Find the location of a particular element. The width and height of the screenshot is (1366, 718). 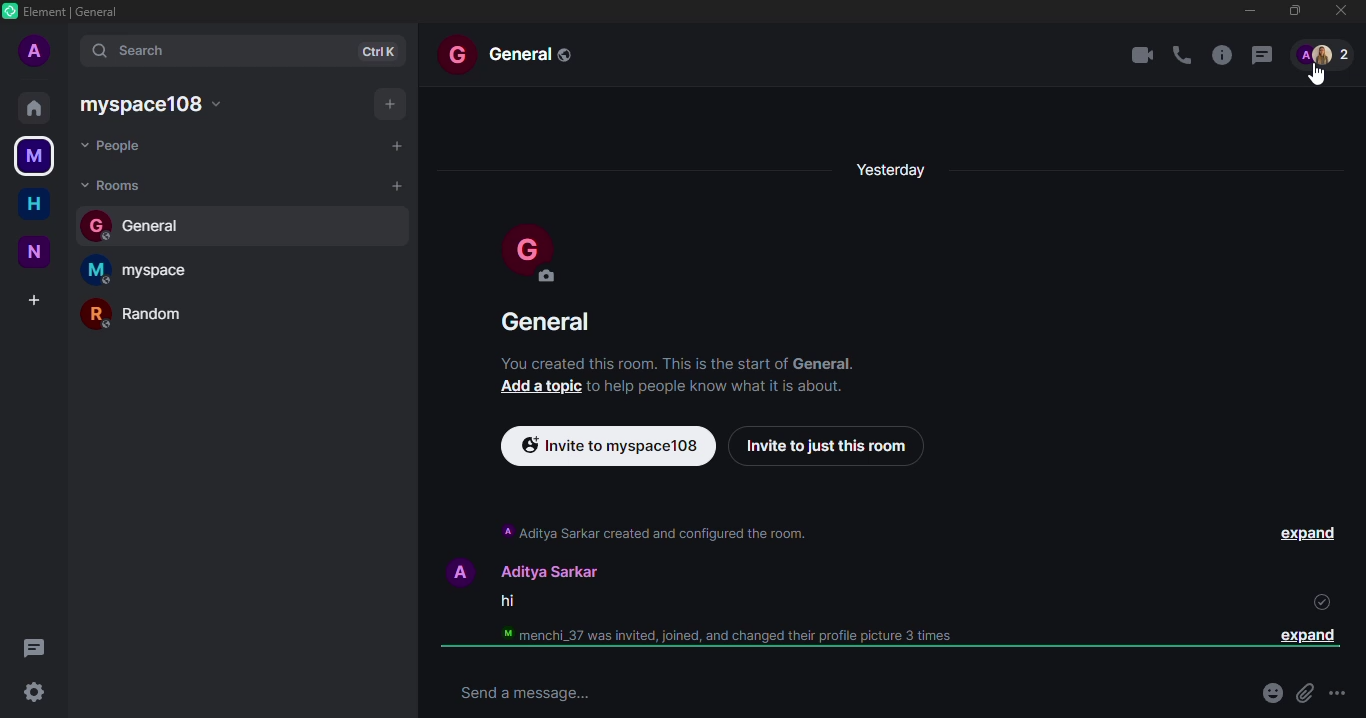

add is located at coordinates (36, 297).